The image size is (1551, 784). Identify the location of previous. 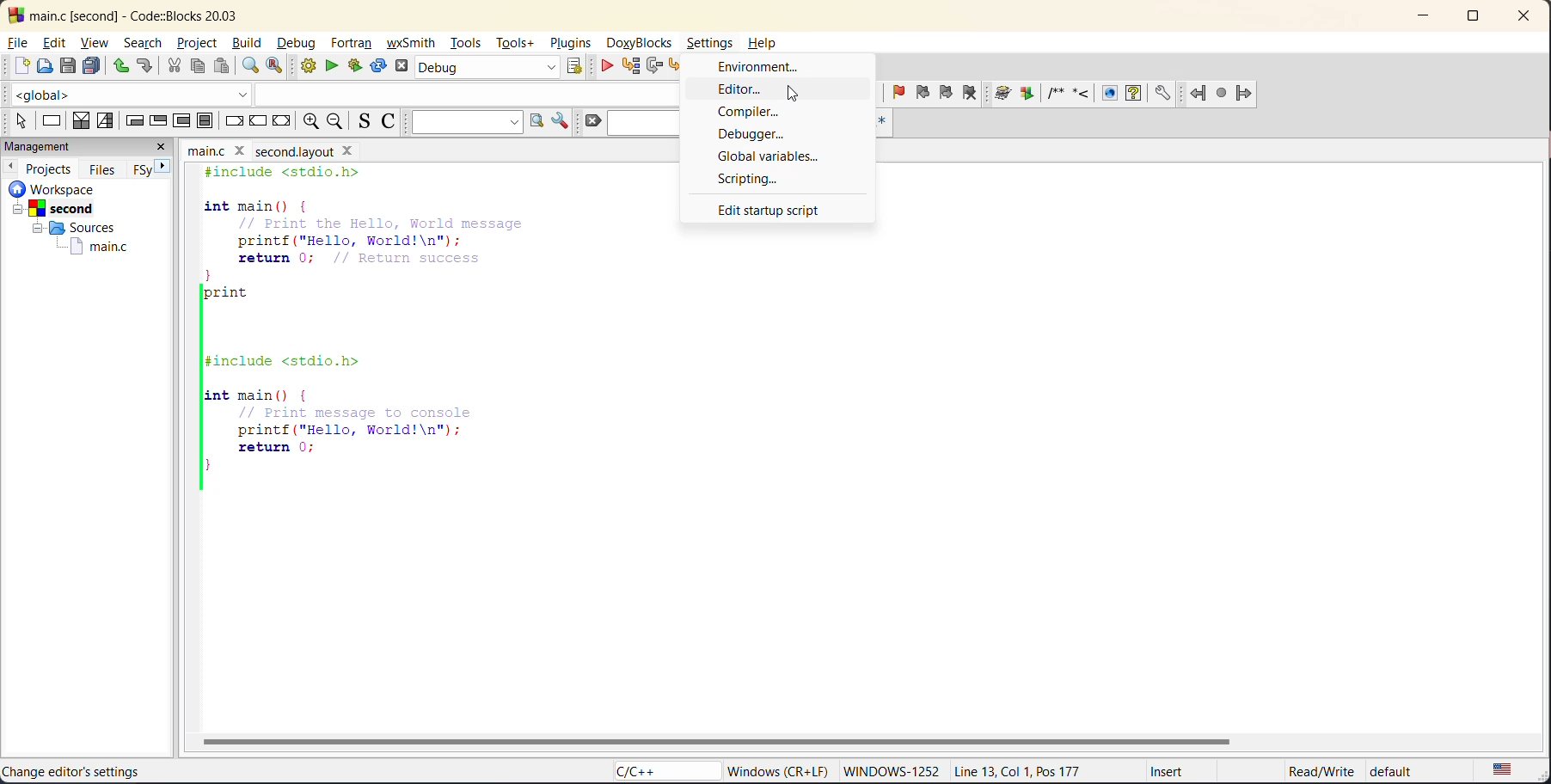
(10, 166).